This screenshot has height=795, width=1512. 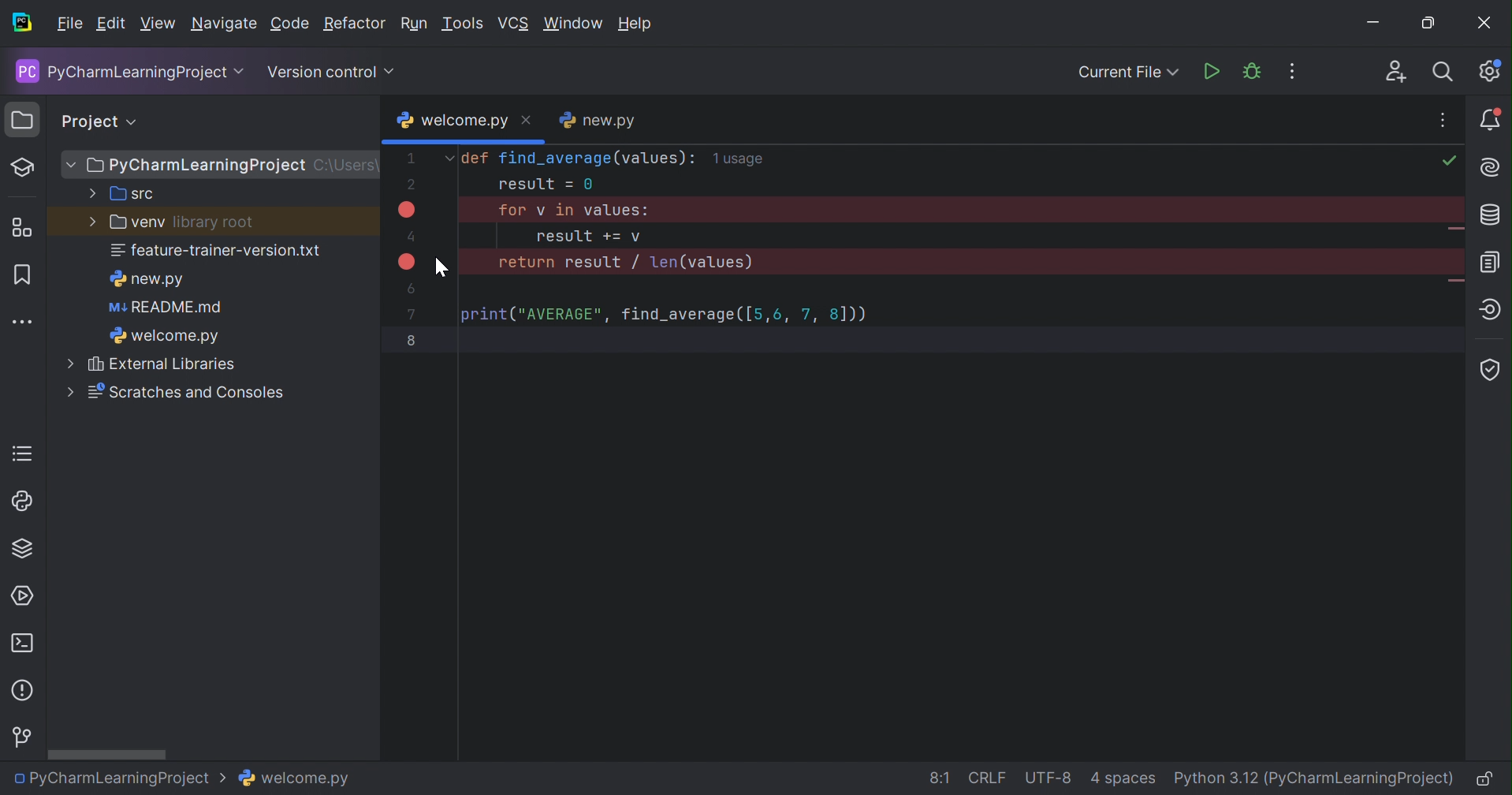 I want to click on def find_average(values):, so click(x=569, y=159).